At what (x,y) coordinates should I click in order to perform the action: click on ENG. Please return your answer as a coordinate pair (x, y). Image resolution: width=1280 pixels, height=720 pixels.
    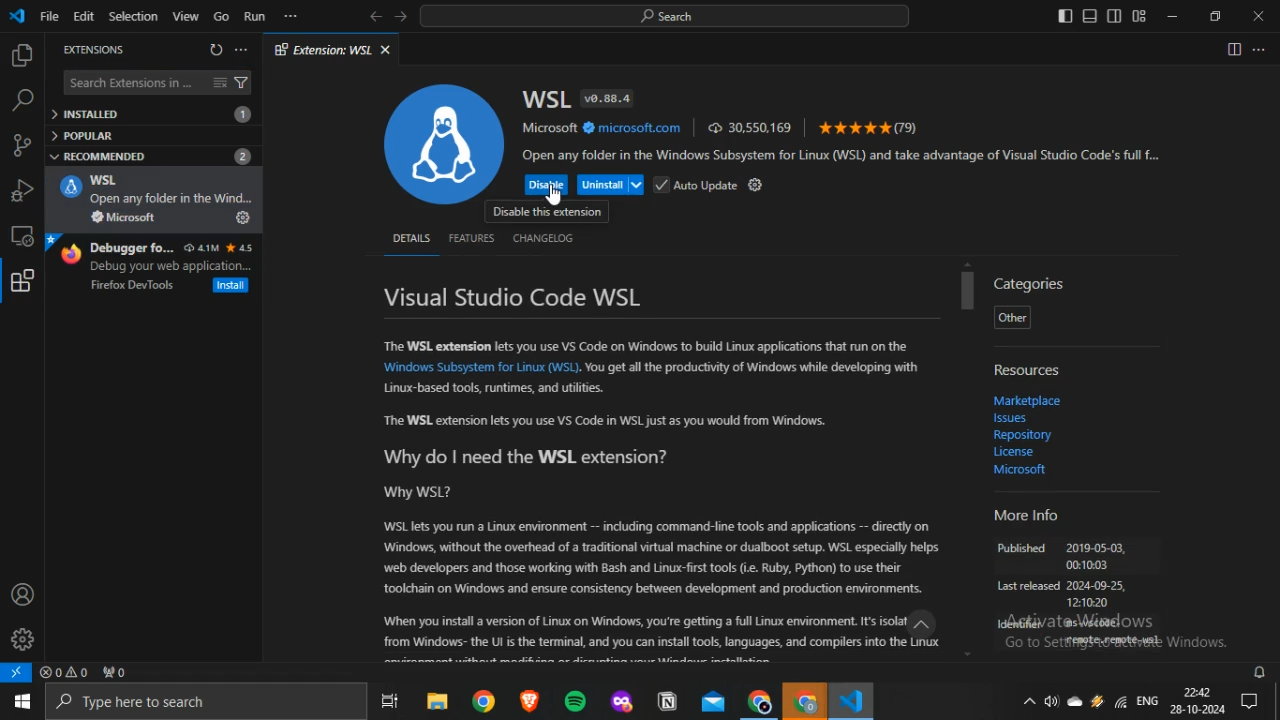
    Looking at the image, I should click on (1147, 700).